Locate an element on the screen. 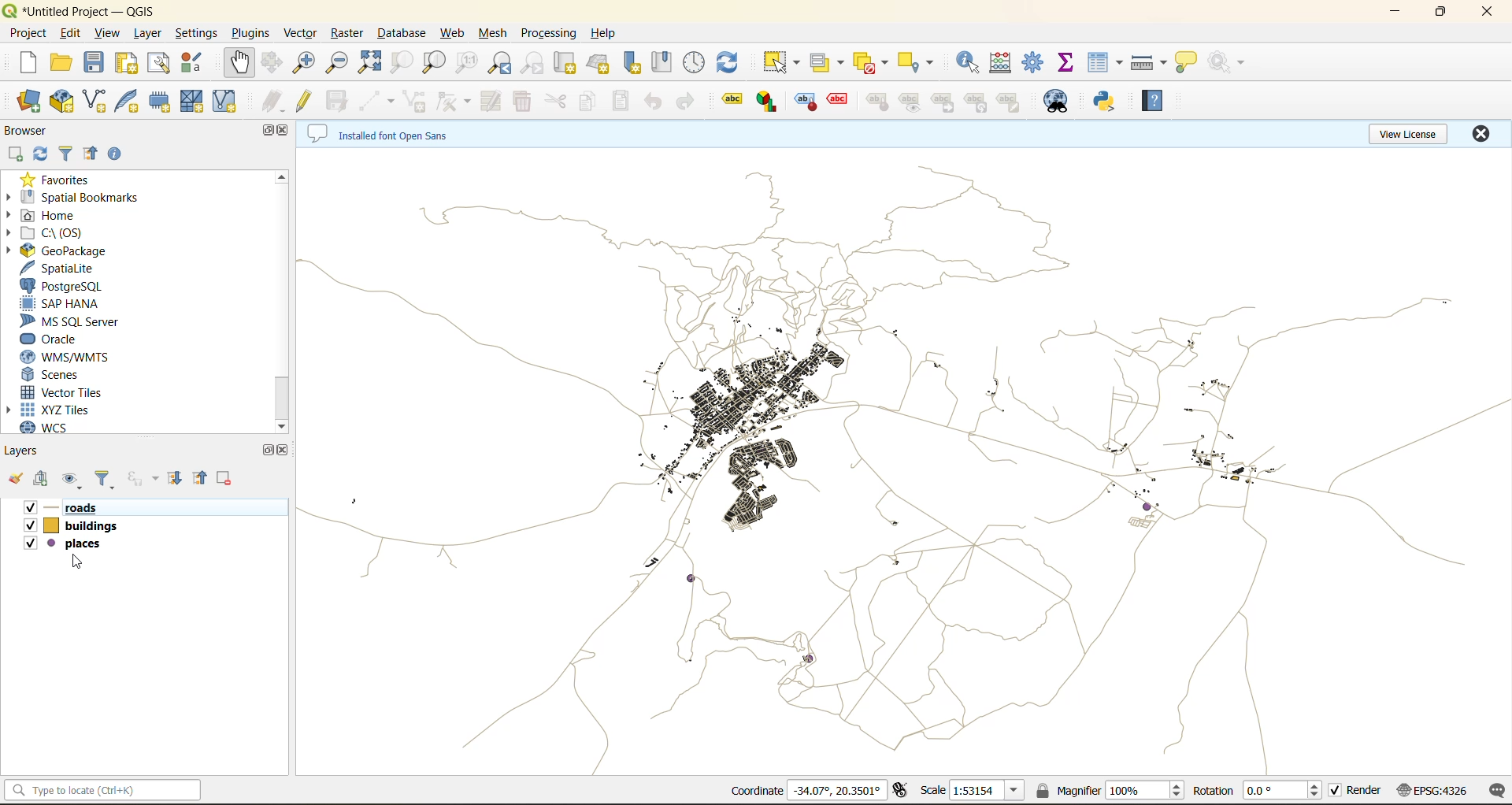  plugins is located at coordinates (251, 32).